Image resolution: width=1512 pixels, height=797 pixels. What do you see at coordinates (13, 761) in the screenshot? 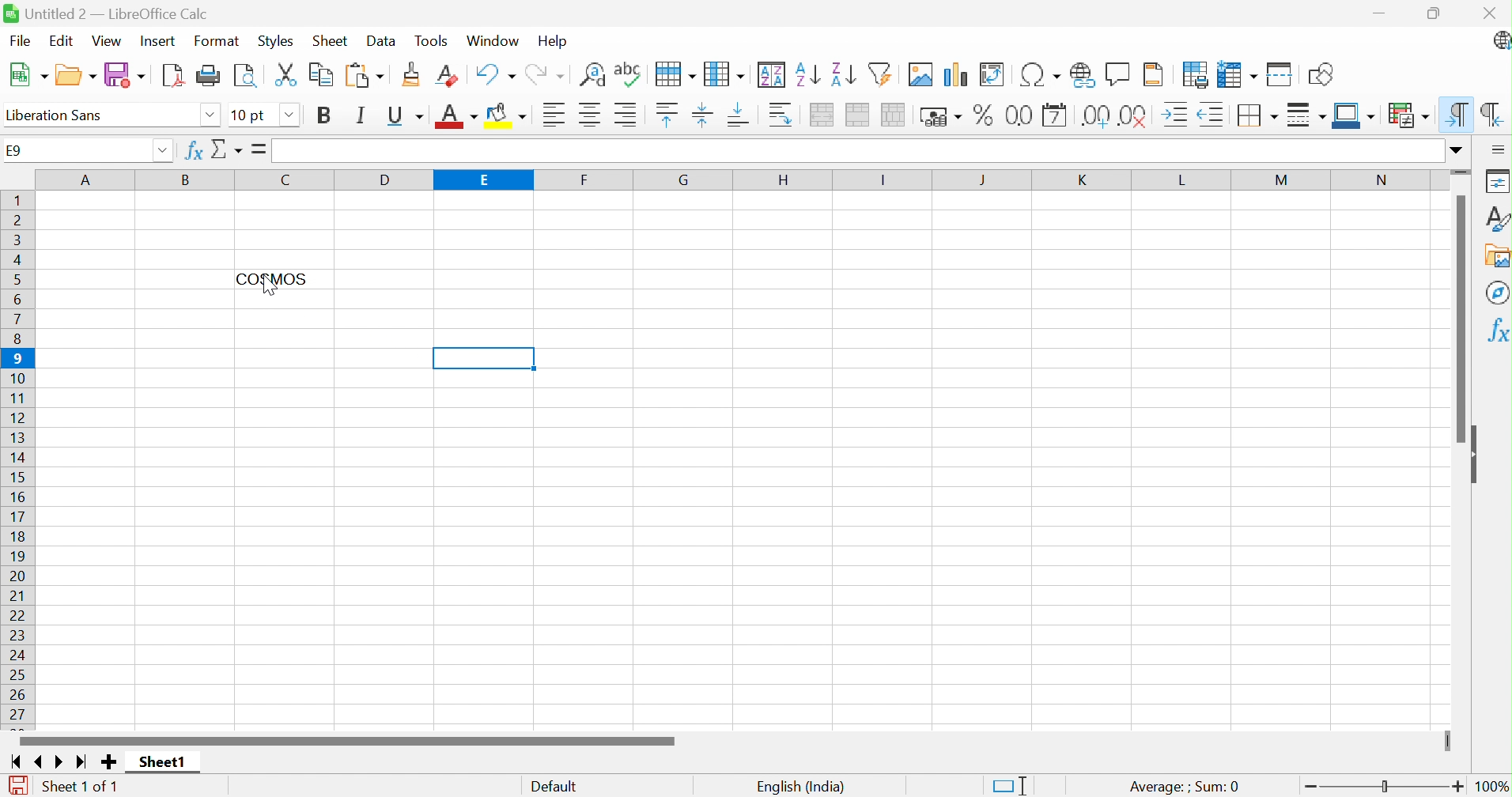
I see `Scroll to first sheet` at bounding box center [13, 761].